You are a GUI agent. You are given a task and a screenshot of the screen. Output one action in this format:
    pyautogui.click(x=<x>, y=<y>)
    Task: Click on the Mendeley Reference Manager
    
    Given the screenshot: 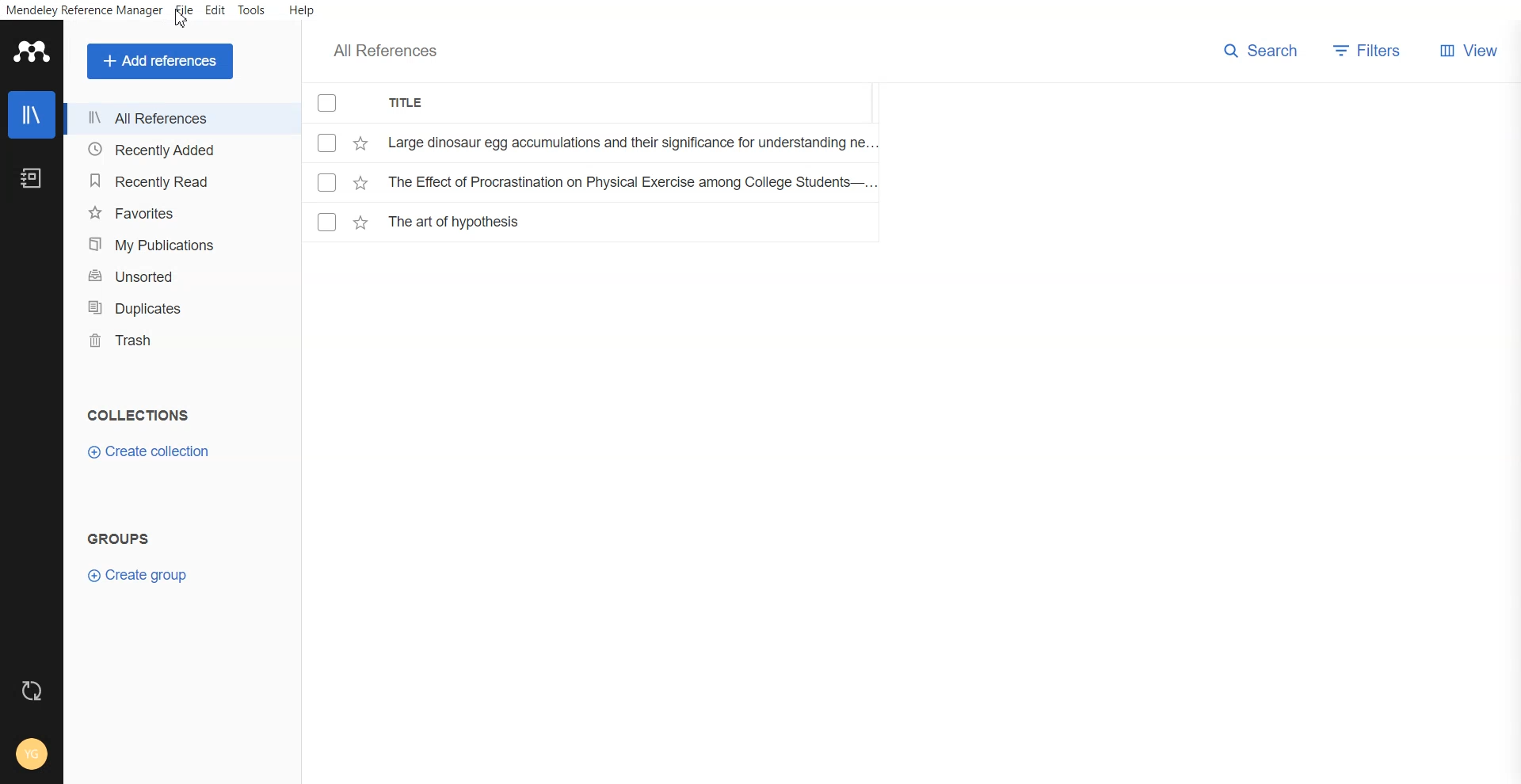 What is the action you would take?
    pyautogui.click(x=83, y=11)
    